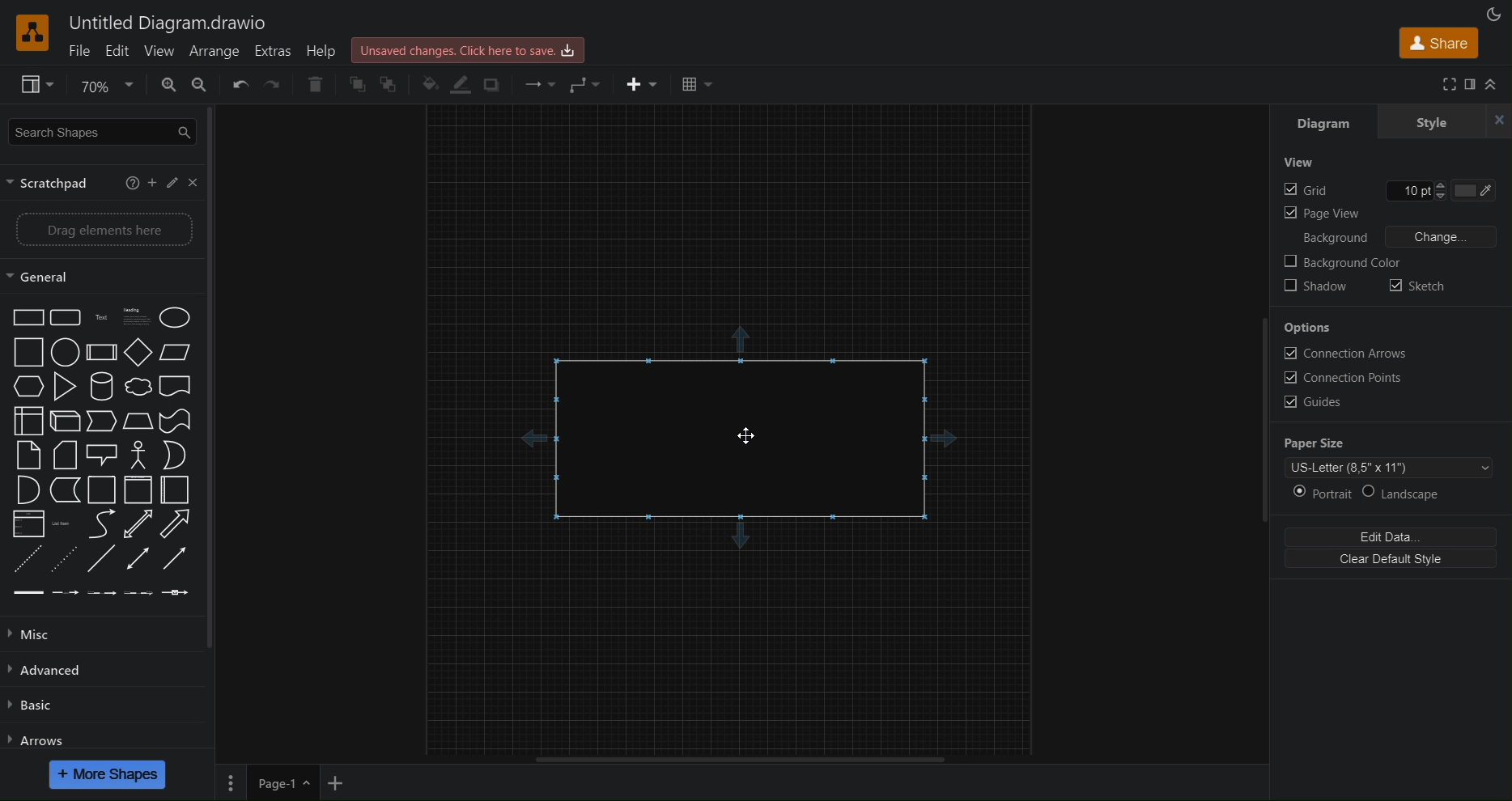 The image size is (1512, 801). What do you see at coordinates (1436, 43) in the screenshot?
I see `Share` at bounding box center [1436, 43].